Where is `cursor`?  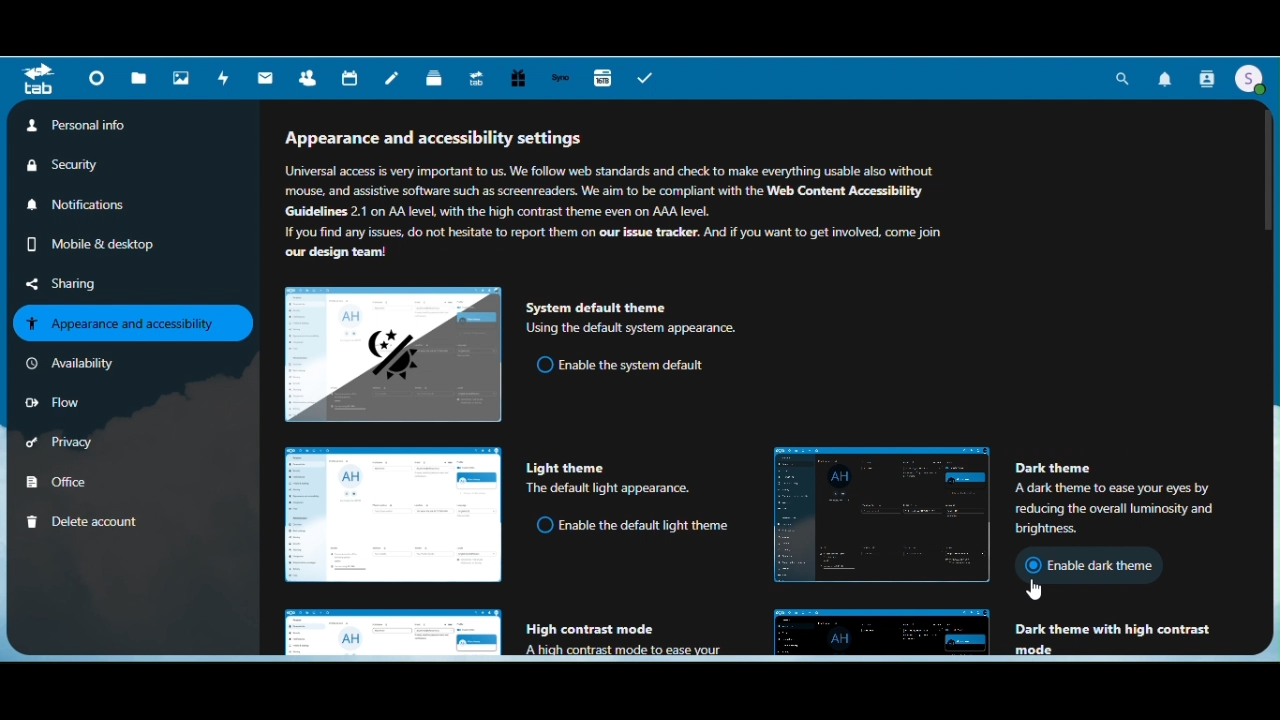 cursor is located at coordinates (1031, 589).